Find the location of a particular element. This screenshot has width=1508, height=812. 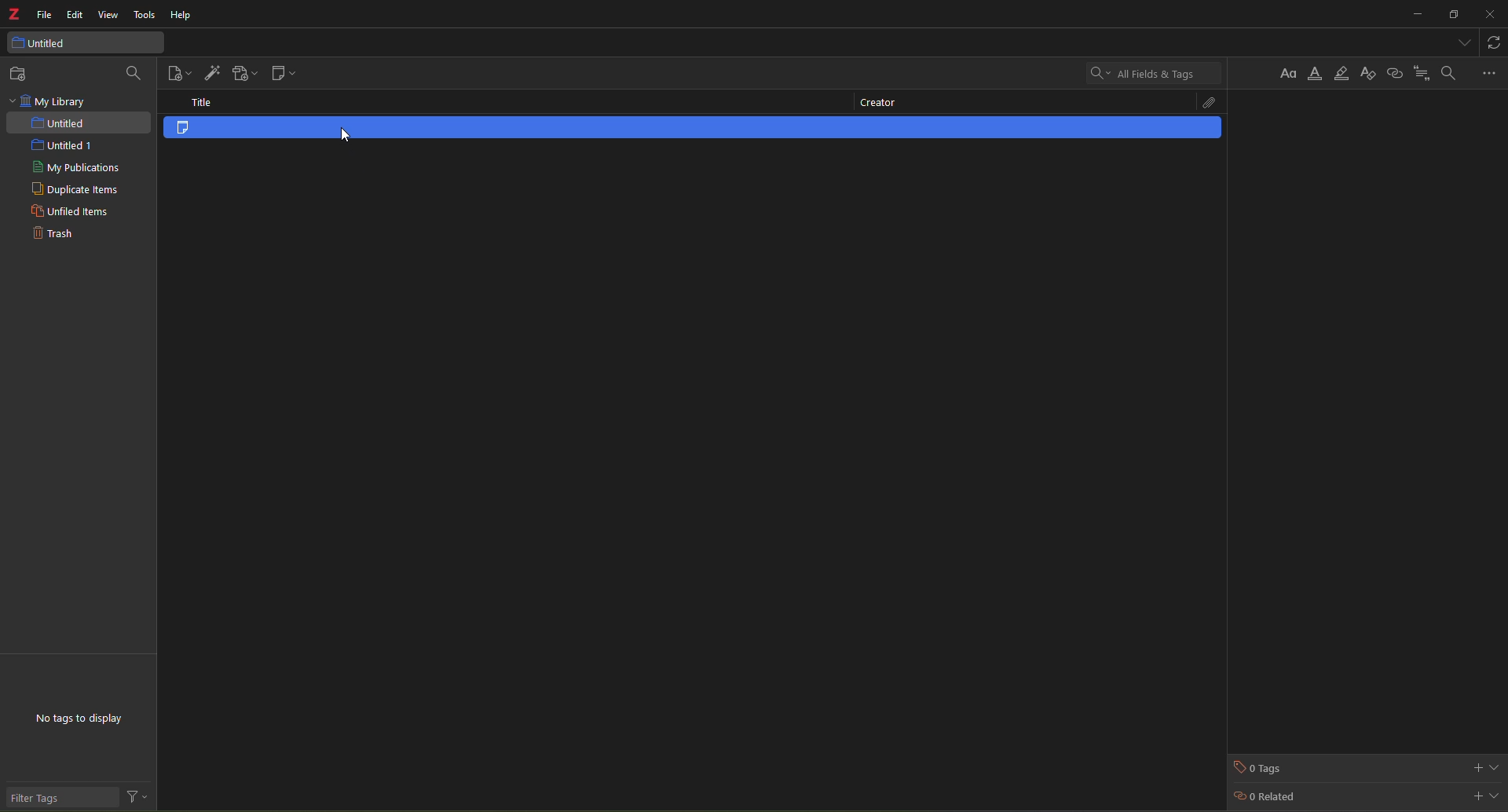

view is located at coordinates (108, 15).